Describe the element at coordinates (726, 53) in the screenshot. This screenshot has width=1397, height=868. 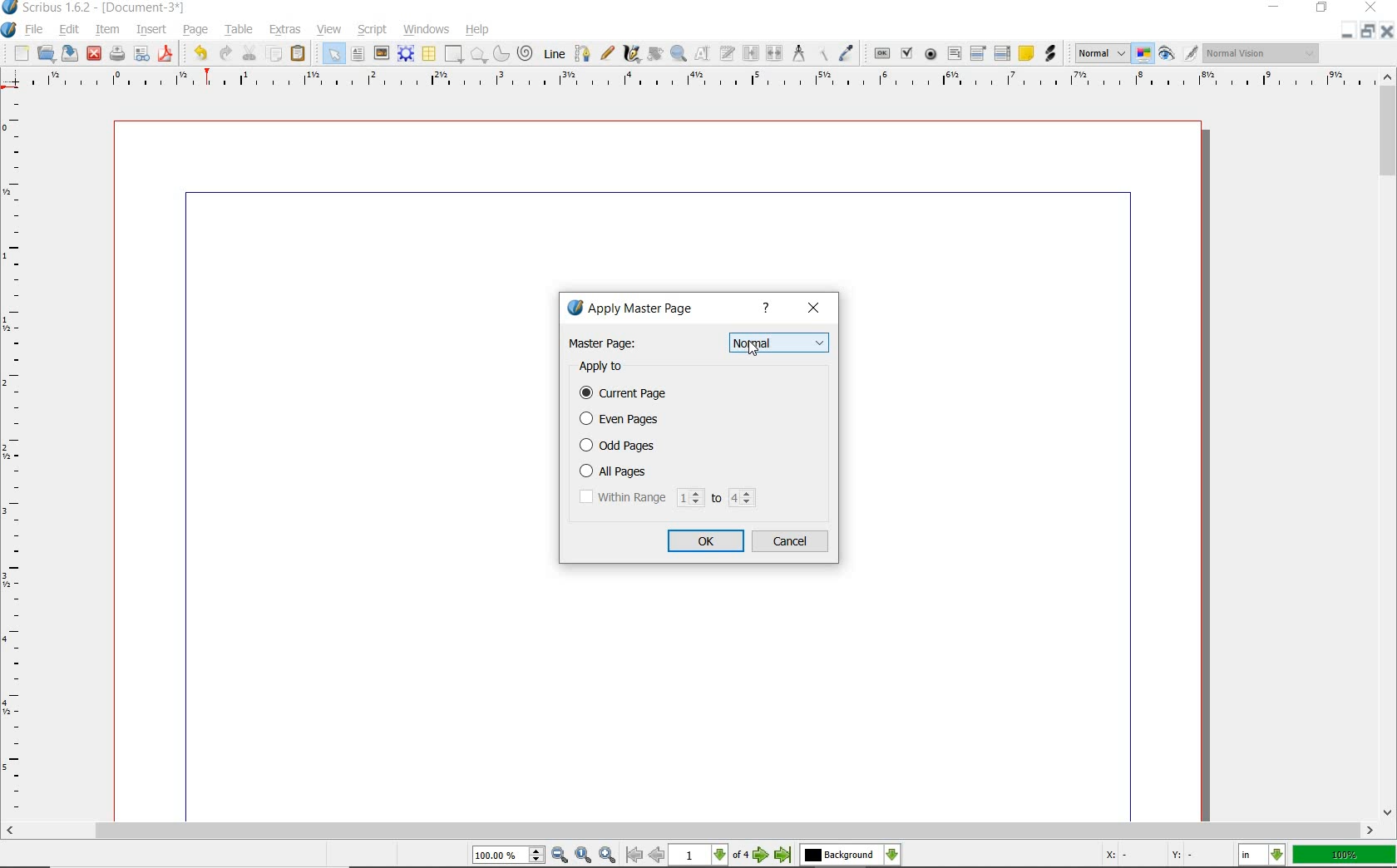
I see `edit text with story editor` at that location.